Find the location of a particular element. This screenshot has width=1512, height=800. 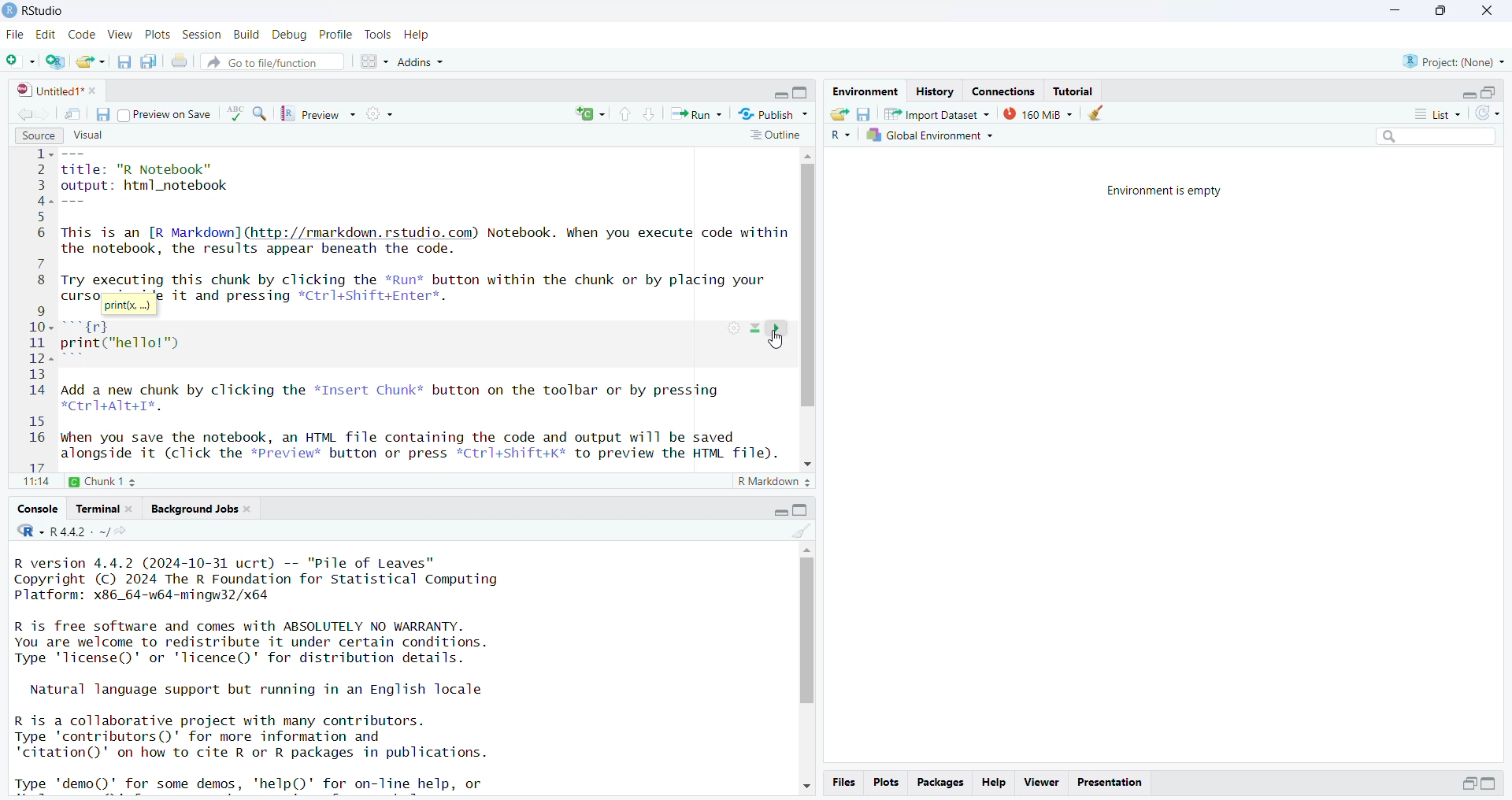

go forward is located at coordinates (46, 113).